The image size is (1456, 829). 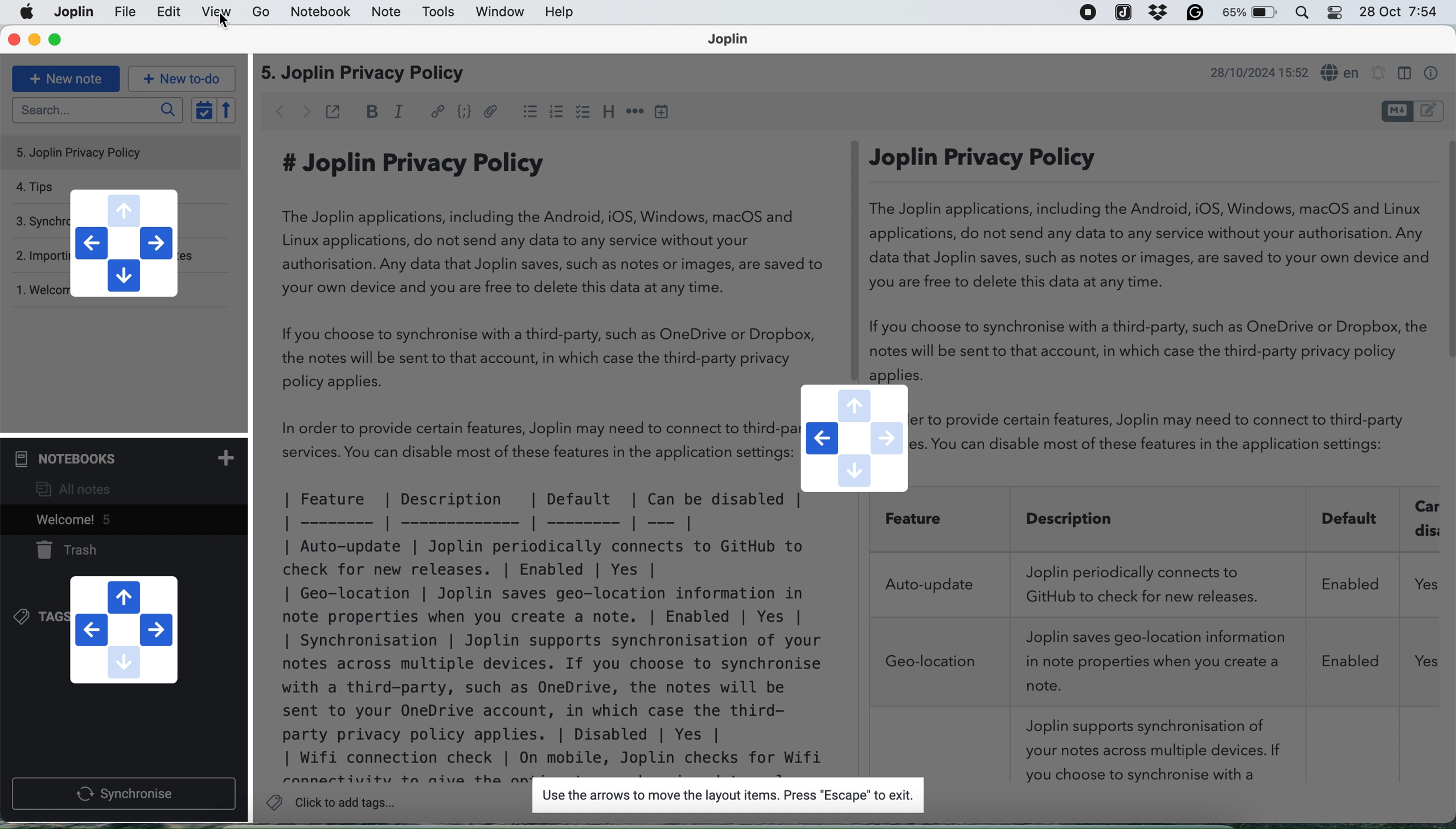 What do you see at coordinates (561, 13) in the screenshot?
I see `help` at bounding box center [561, 13].